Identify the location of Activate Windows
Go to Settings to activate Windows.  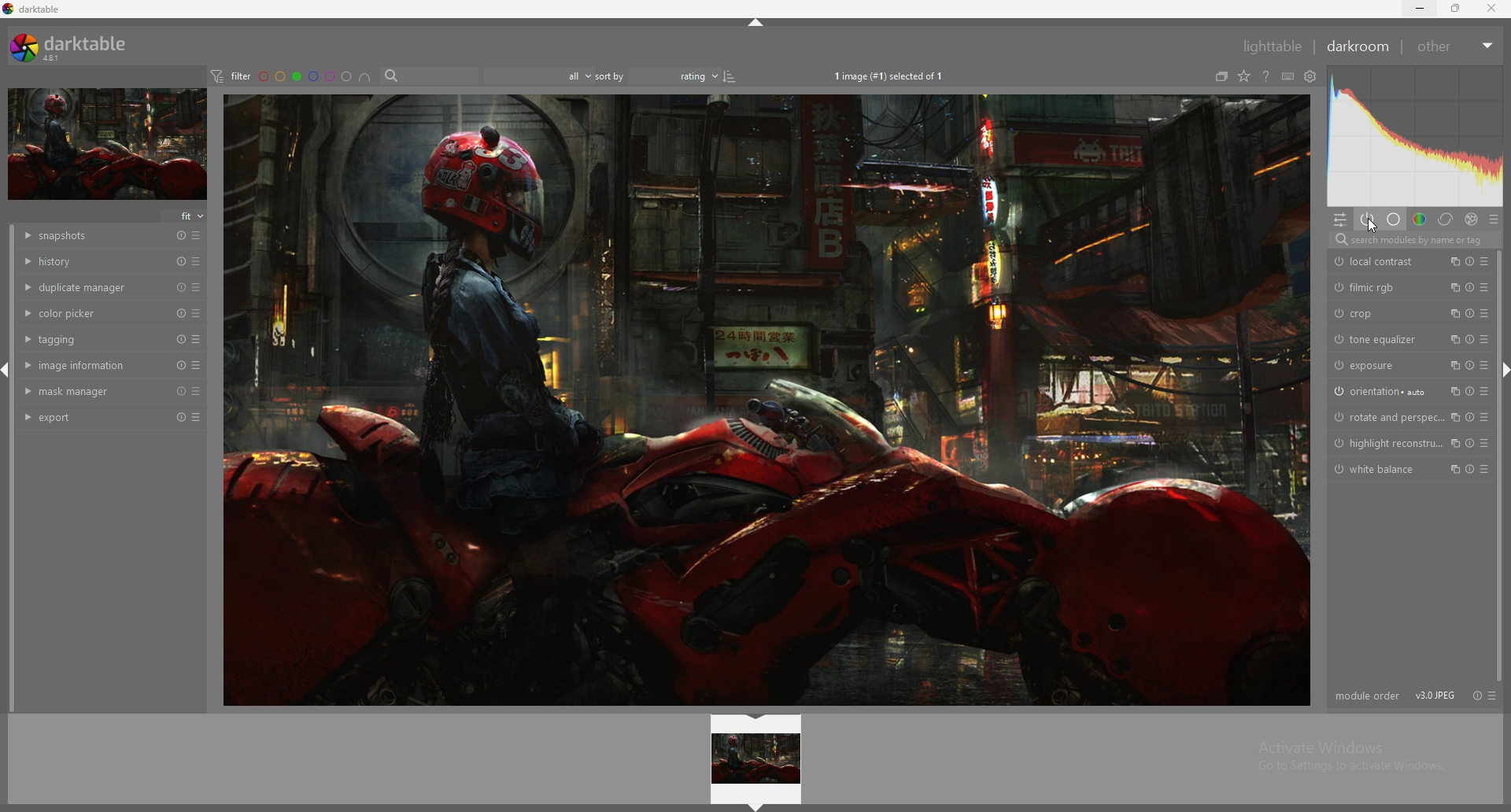
(1347, 760).